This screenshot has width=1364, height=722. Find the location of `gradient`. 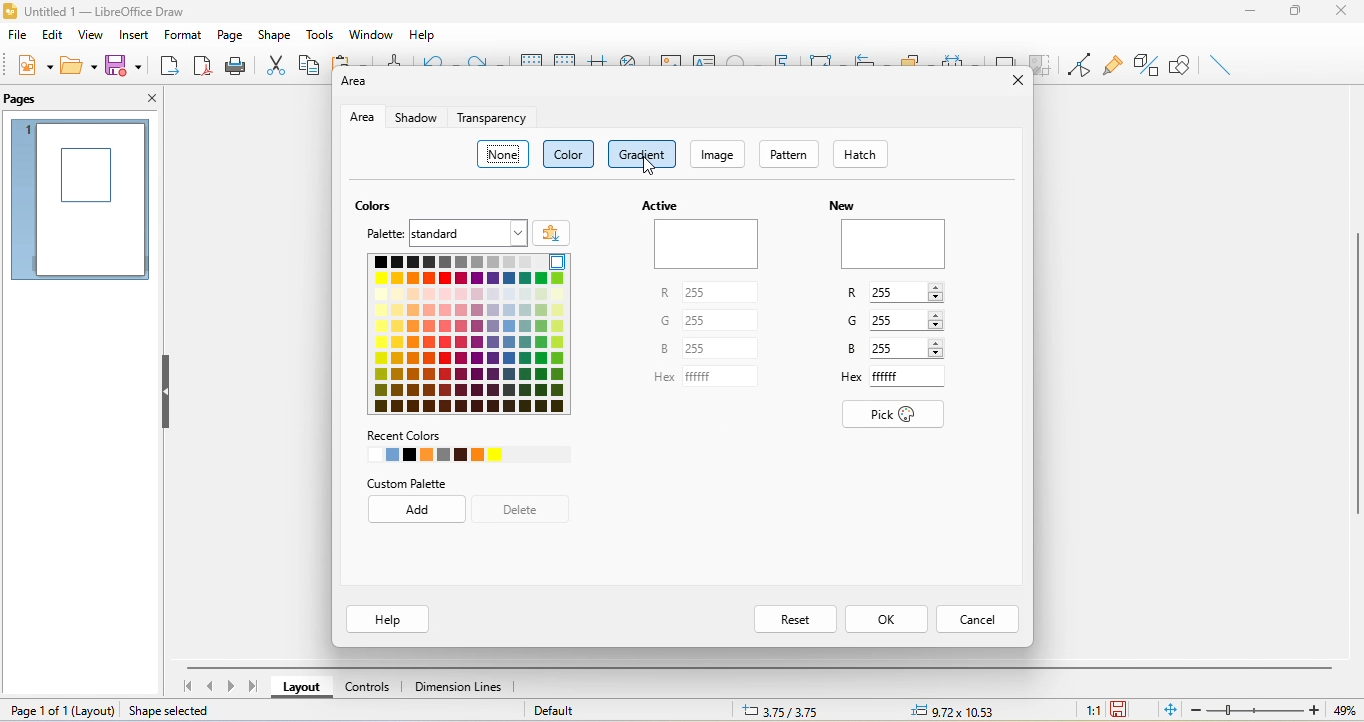

gradient is located at coordinates (644, 152).